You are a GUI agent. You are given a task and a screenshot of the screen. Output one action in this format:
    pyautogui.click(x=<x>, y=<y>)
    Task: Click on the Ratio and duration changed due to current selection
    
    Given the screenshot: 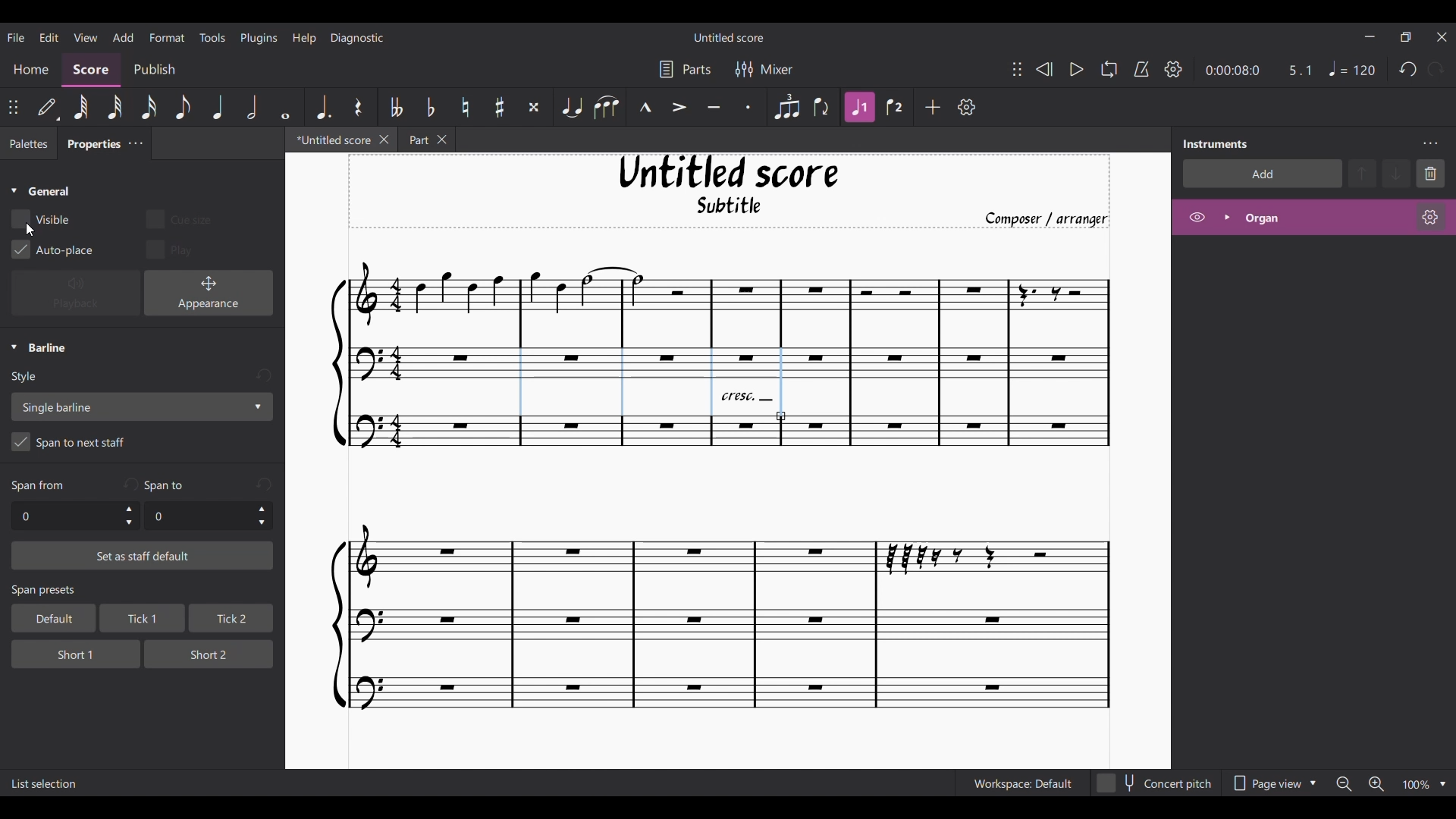 What is the action you would take?
    pyautogui.click(x=1259, y=70)
    